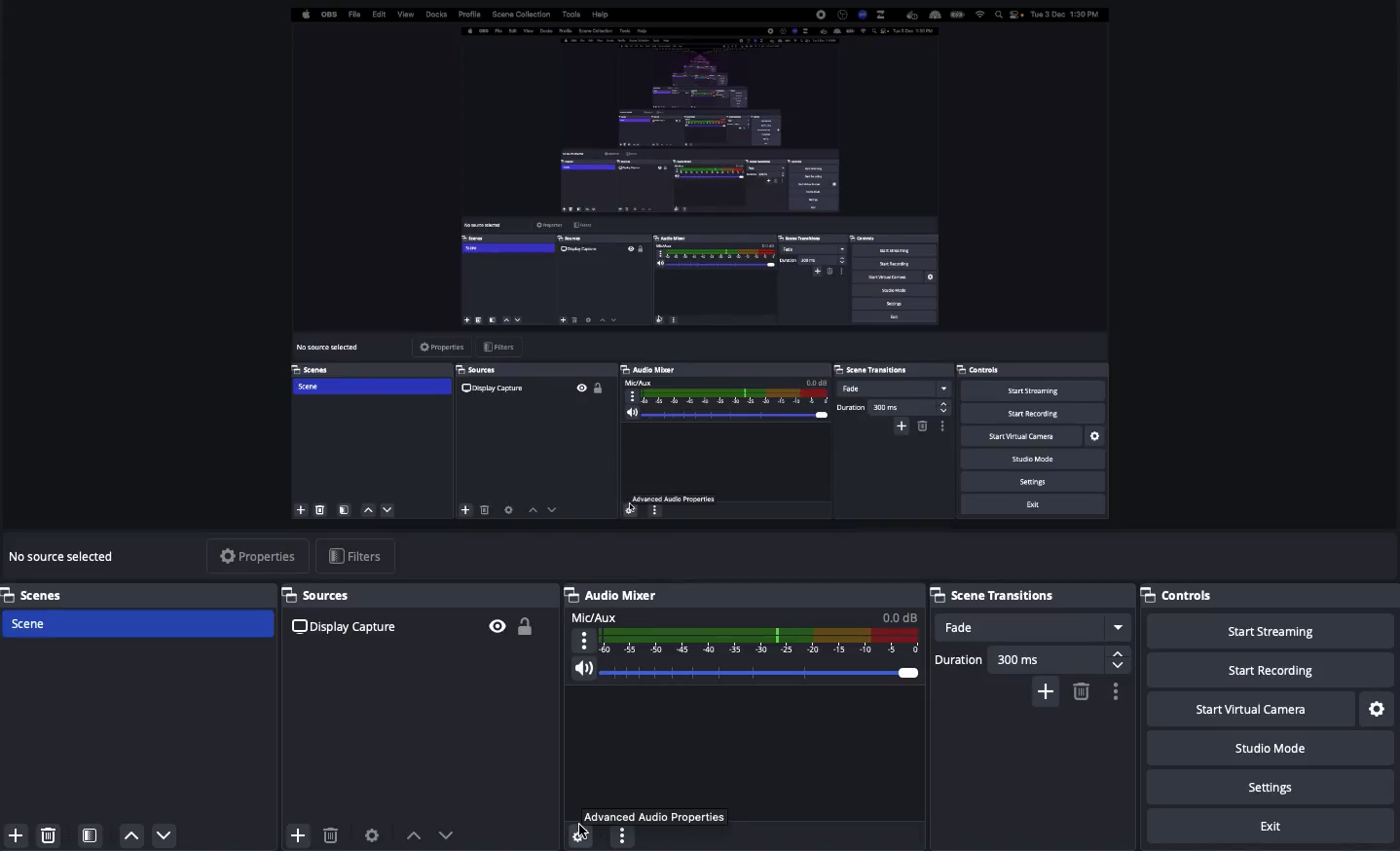  What do you see at coordinates (1269, 786) in the screenshot?
I see `Settings` at bounding box center [1269, 786].